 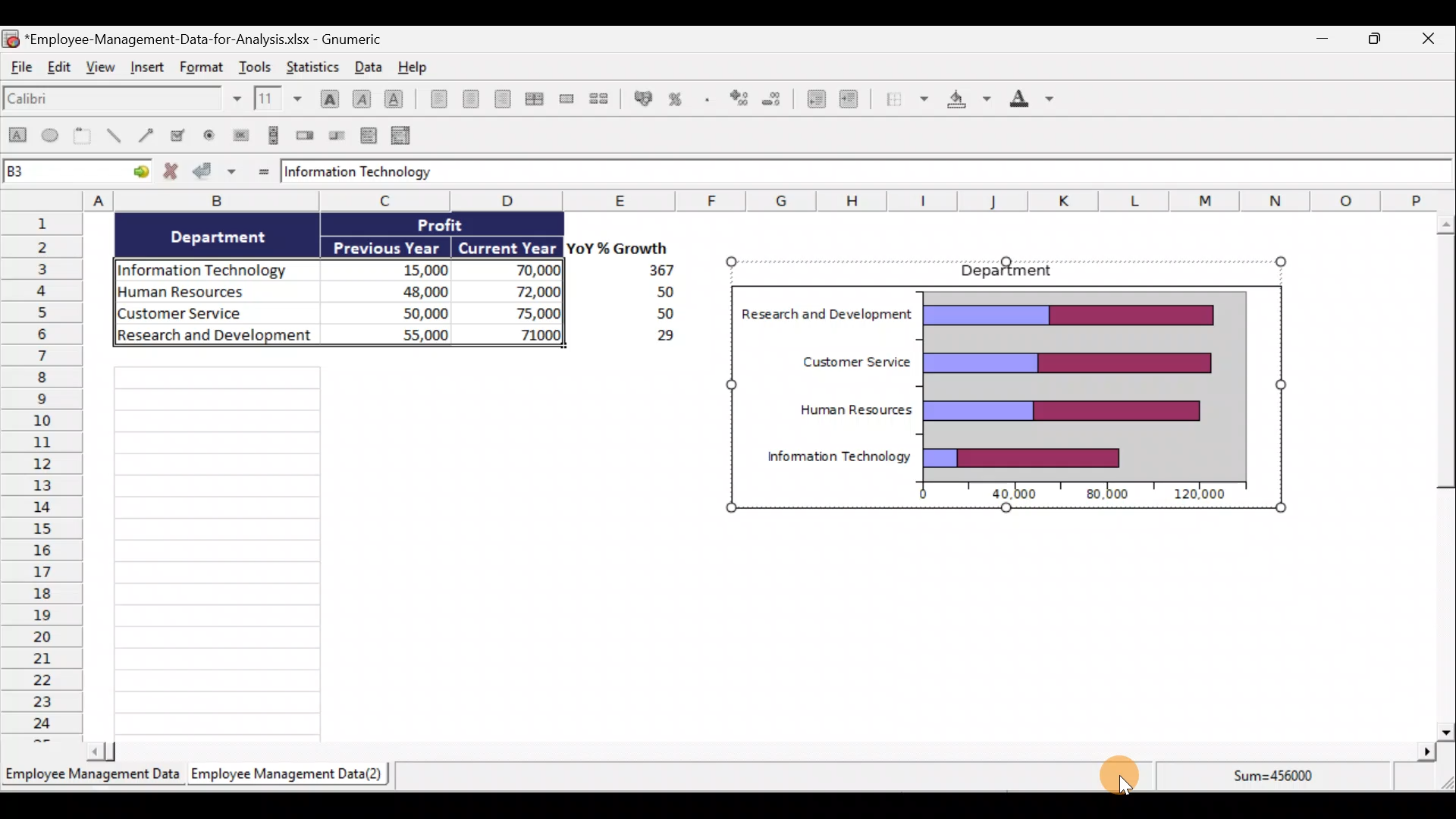 What do you see at coordinates (403, 134) in the screenshot?
I see `Create a combo box` at bounding box center [403, 134].